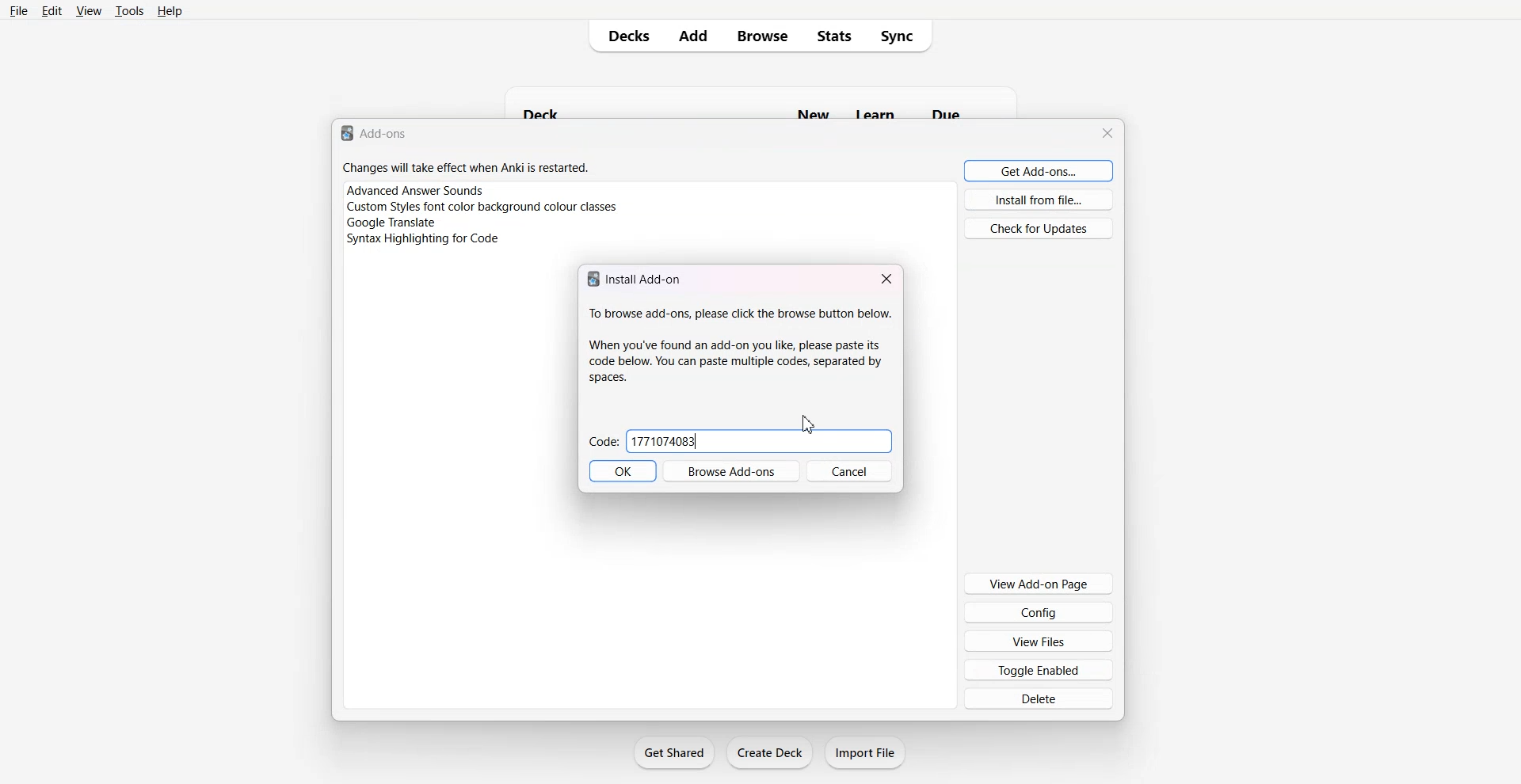 This screenshot has width=1521, height=784. What do you see at coordinates (483, 207) in the screenshot?
I see `custom styles font color background colour classes` at bounding box center [483, 207].